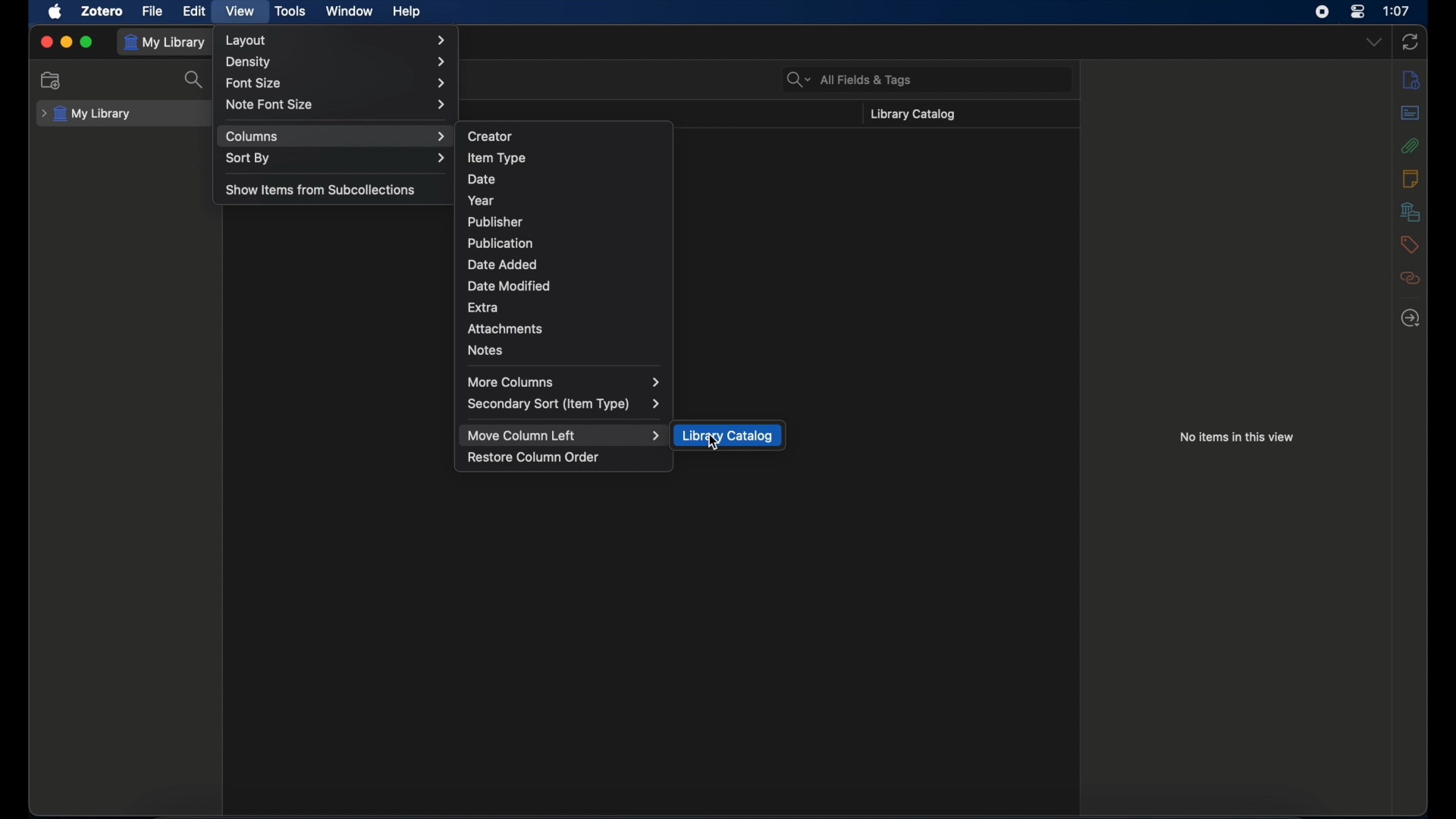  I want to click on zotero, so click(102, 11).